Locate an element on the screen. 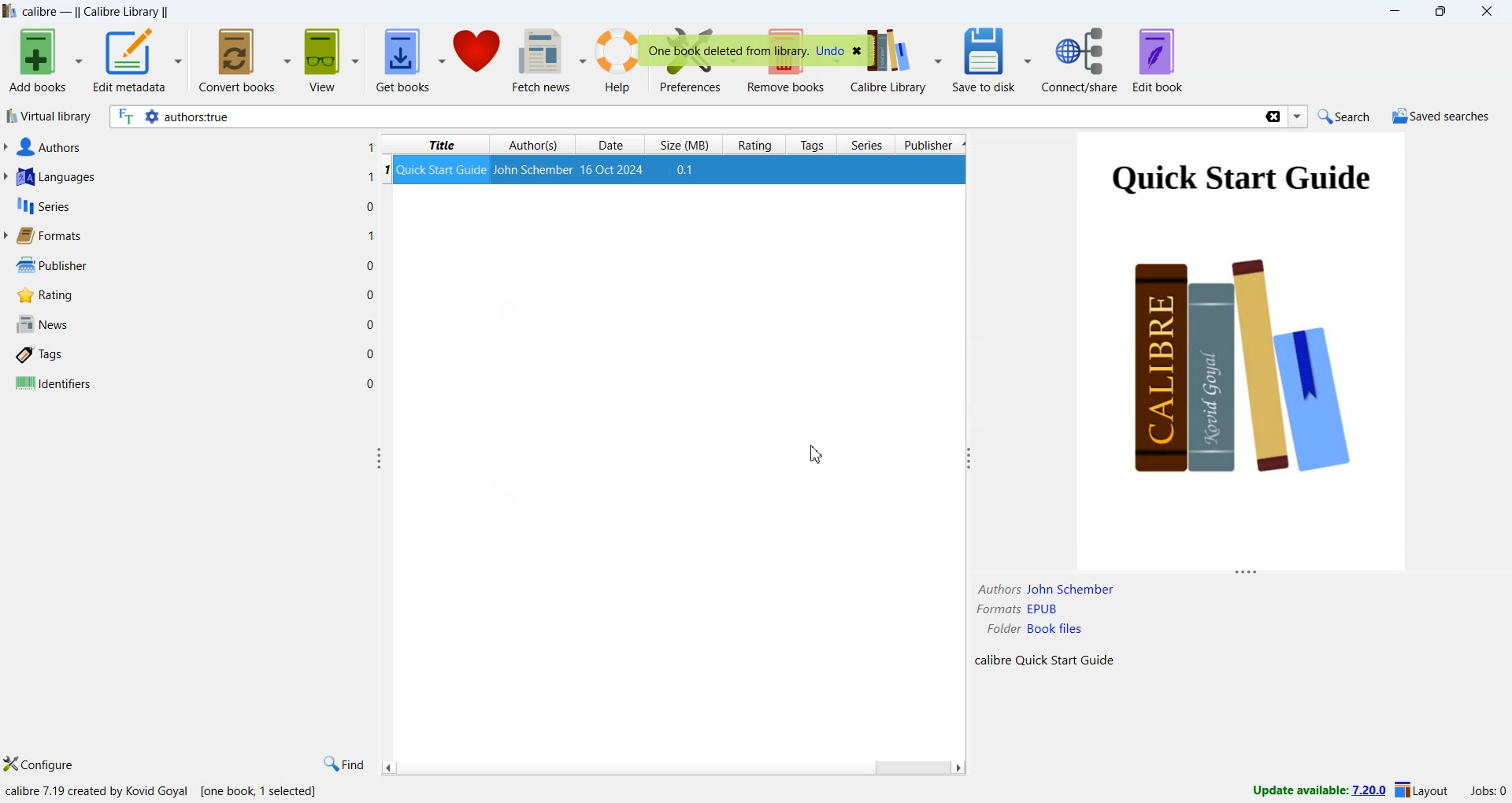 The image size is (1512, 803). clear search is located at coordinates (1272, 118).